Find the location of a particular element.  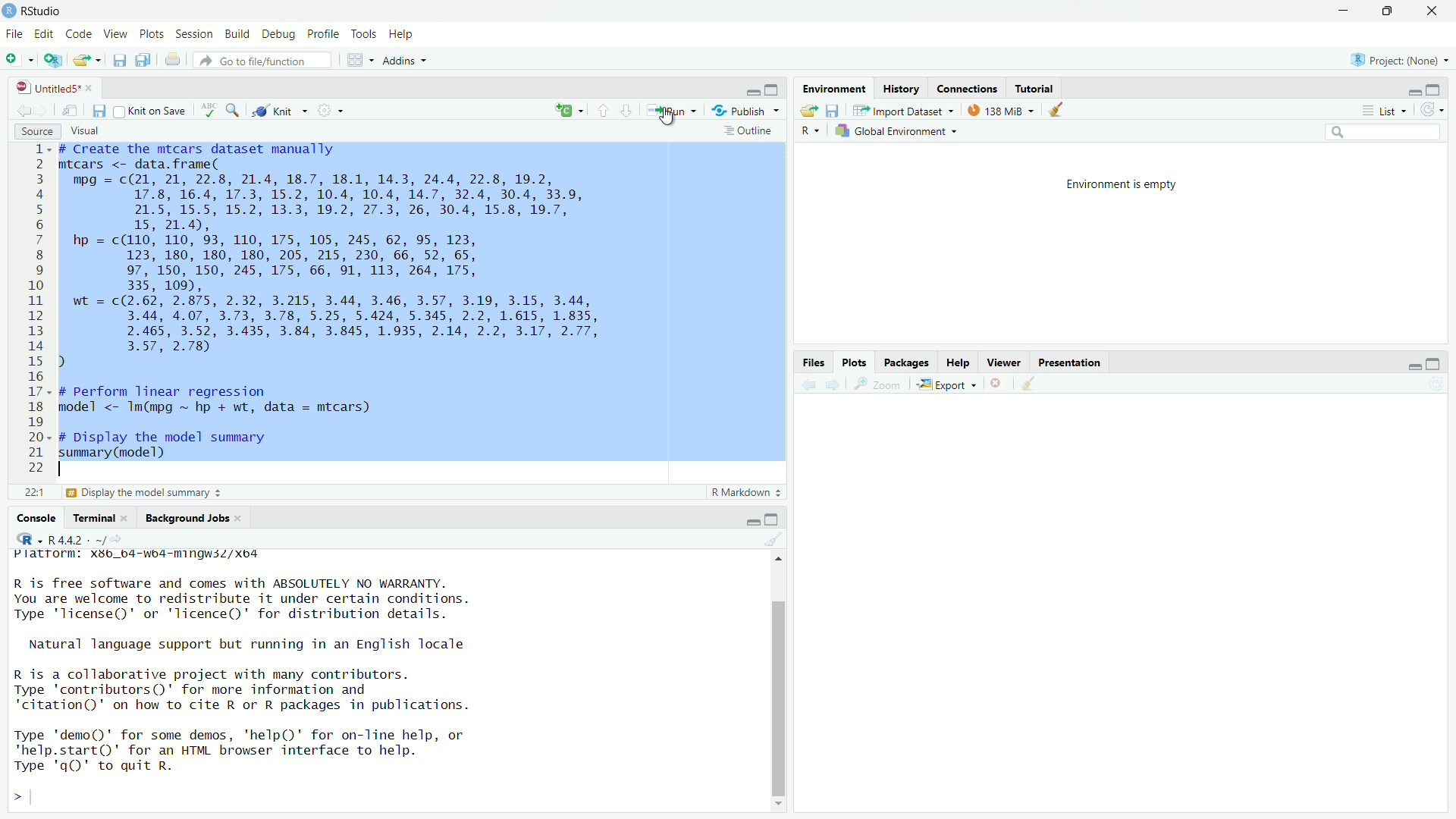

export is located at coordinates (947, 385).